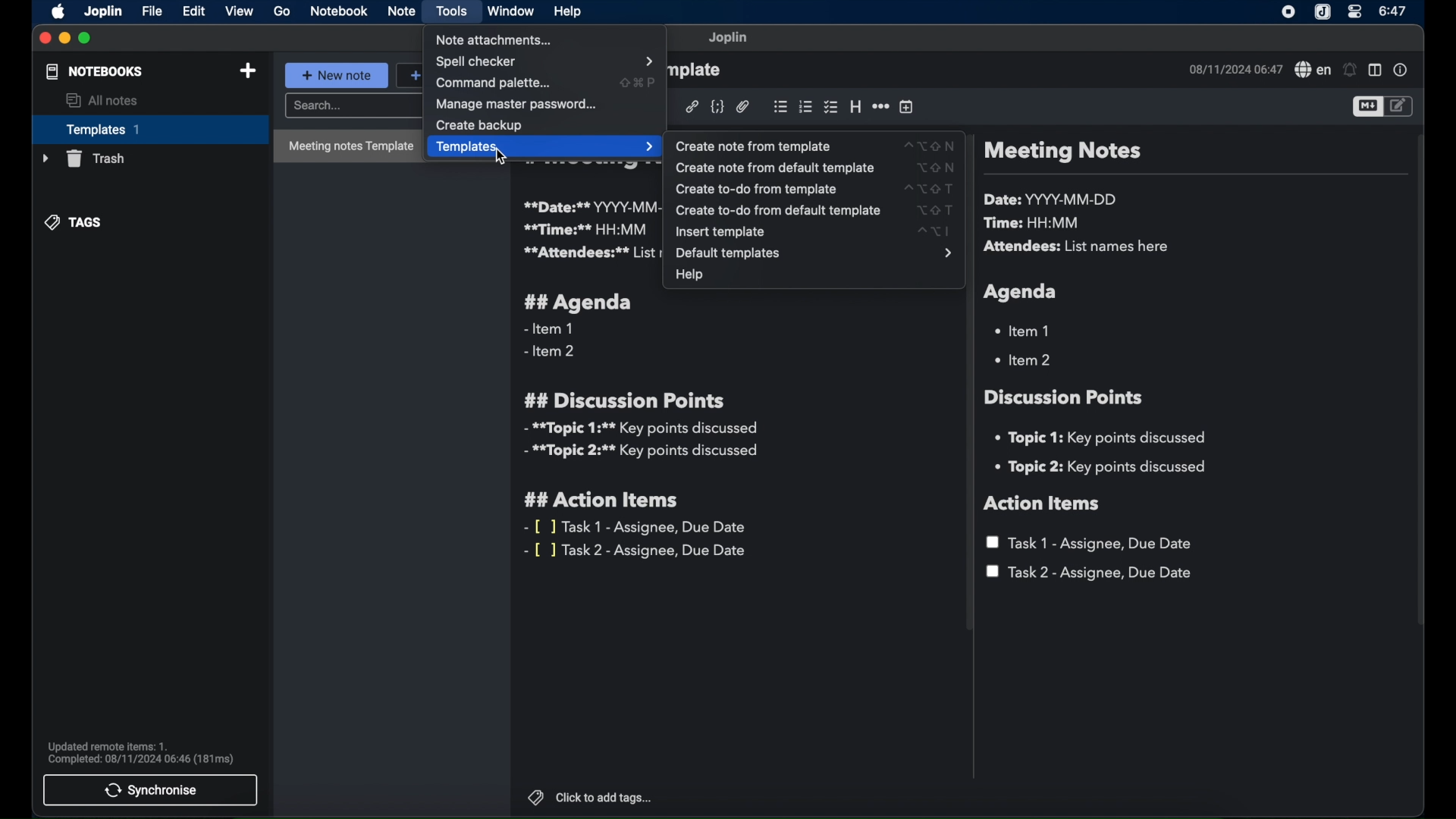 The image size is (1456, 819). Describe the element at coordinates (811, 189) in the screenshot. I see `create to do from template` at that location.